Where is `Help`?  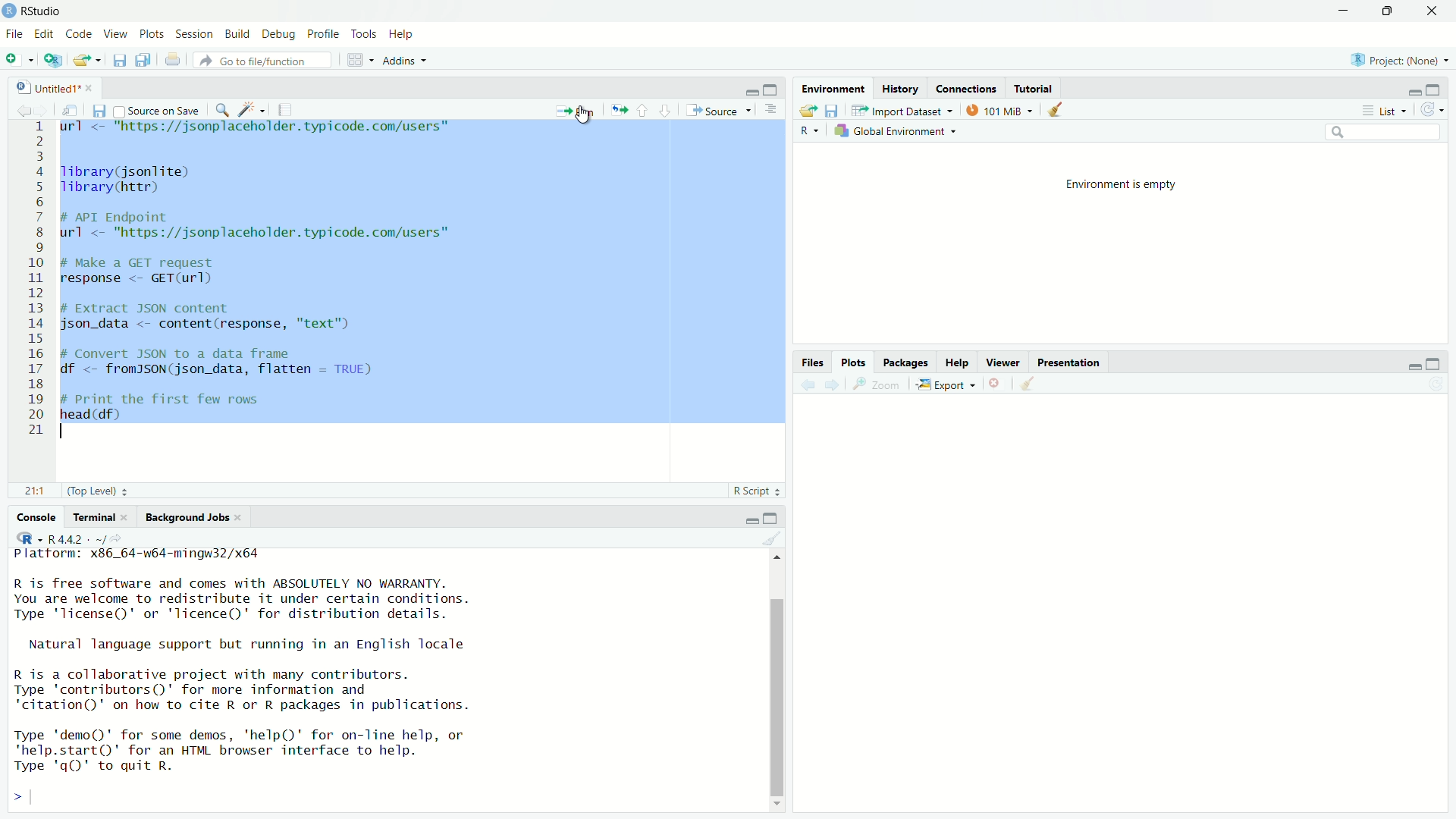
Help is located at coordinates (957, 363).